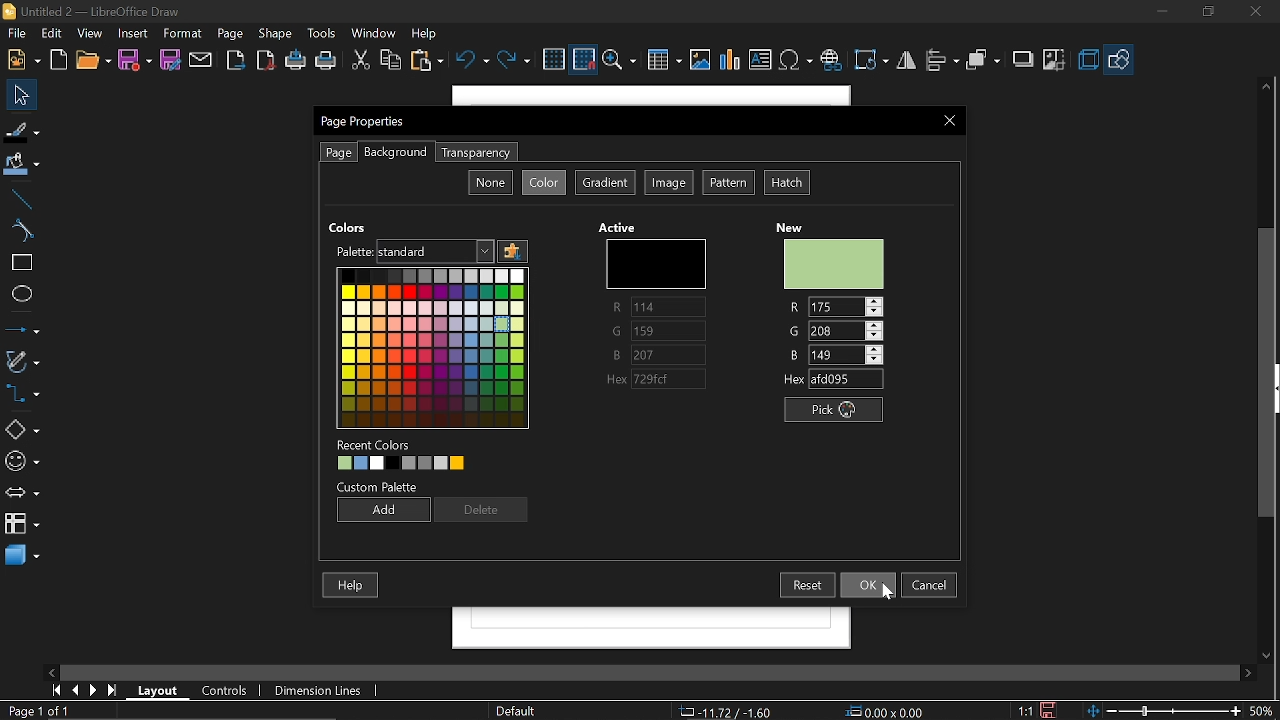  I want to click on Print, so click(326, 61).